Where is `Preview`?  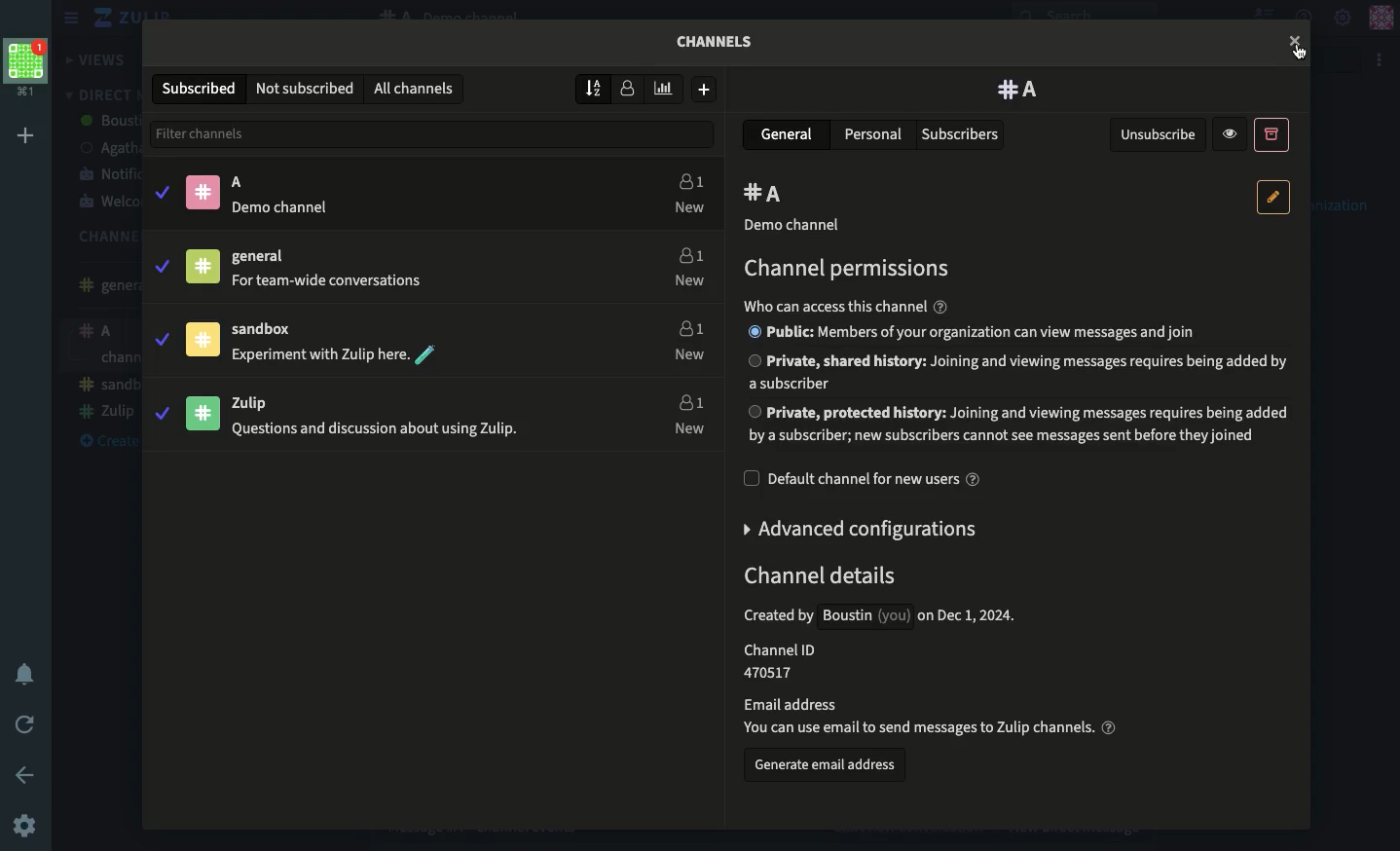
Preview is located at coordinates (1233, 133).